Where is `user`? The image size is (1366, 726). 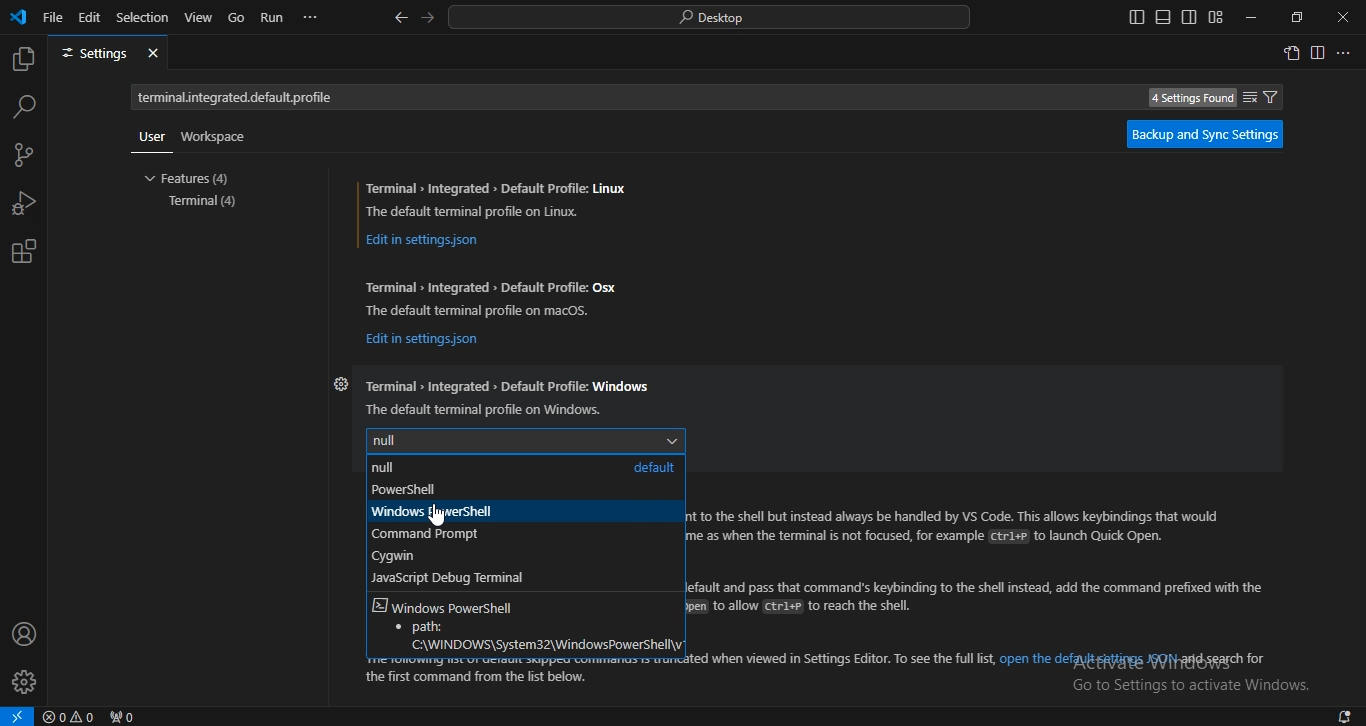
user is located at coordinates (153, 138).